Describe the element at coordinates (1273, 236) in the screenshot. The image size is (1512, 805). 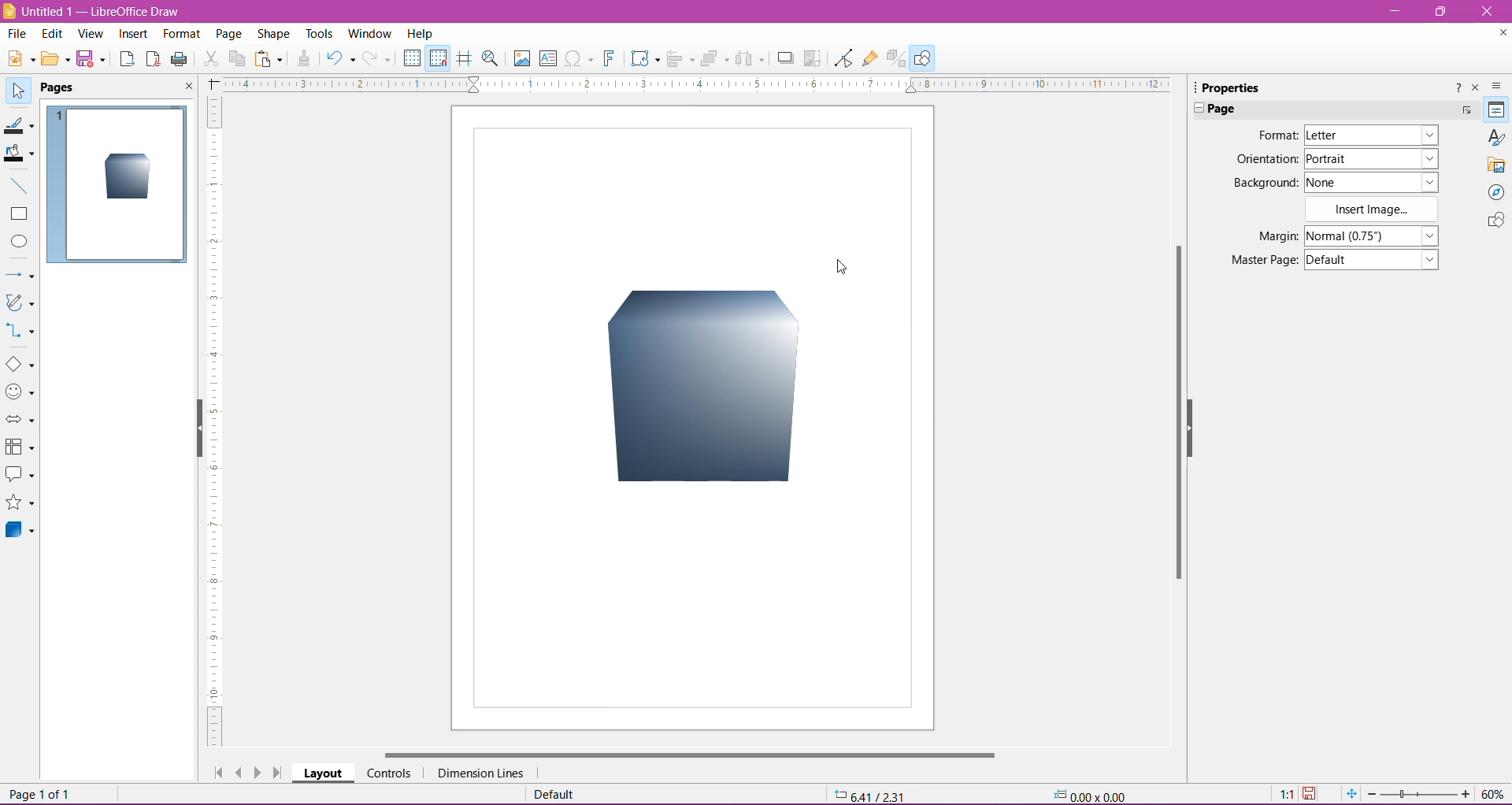
I see `Margin` at that location.